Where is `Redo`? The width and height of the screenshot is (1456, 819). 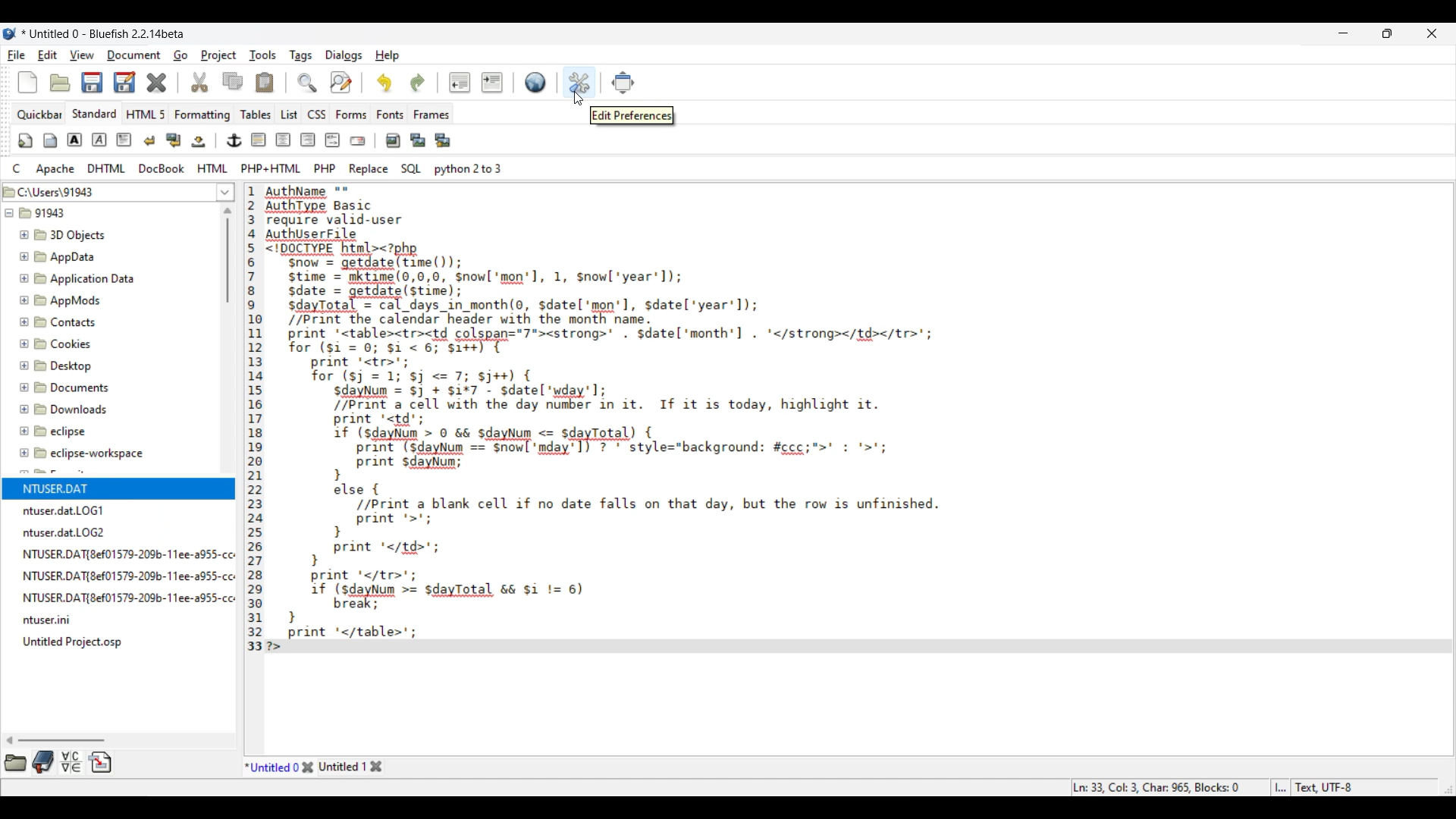
Redo is located at coordinates (418, 83).